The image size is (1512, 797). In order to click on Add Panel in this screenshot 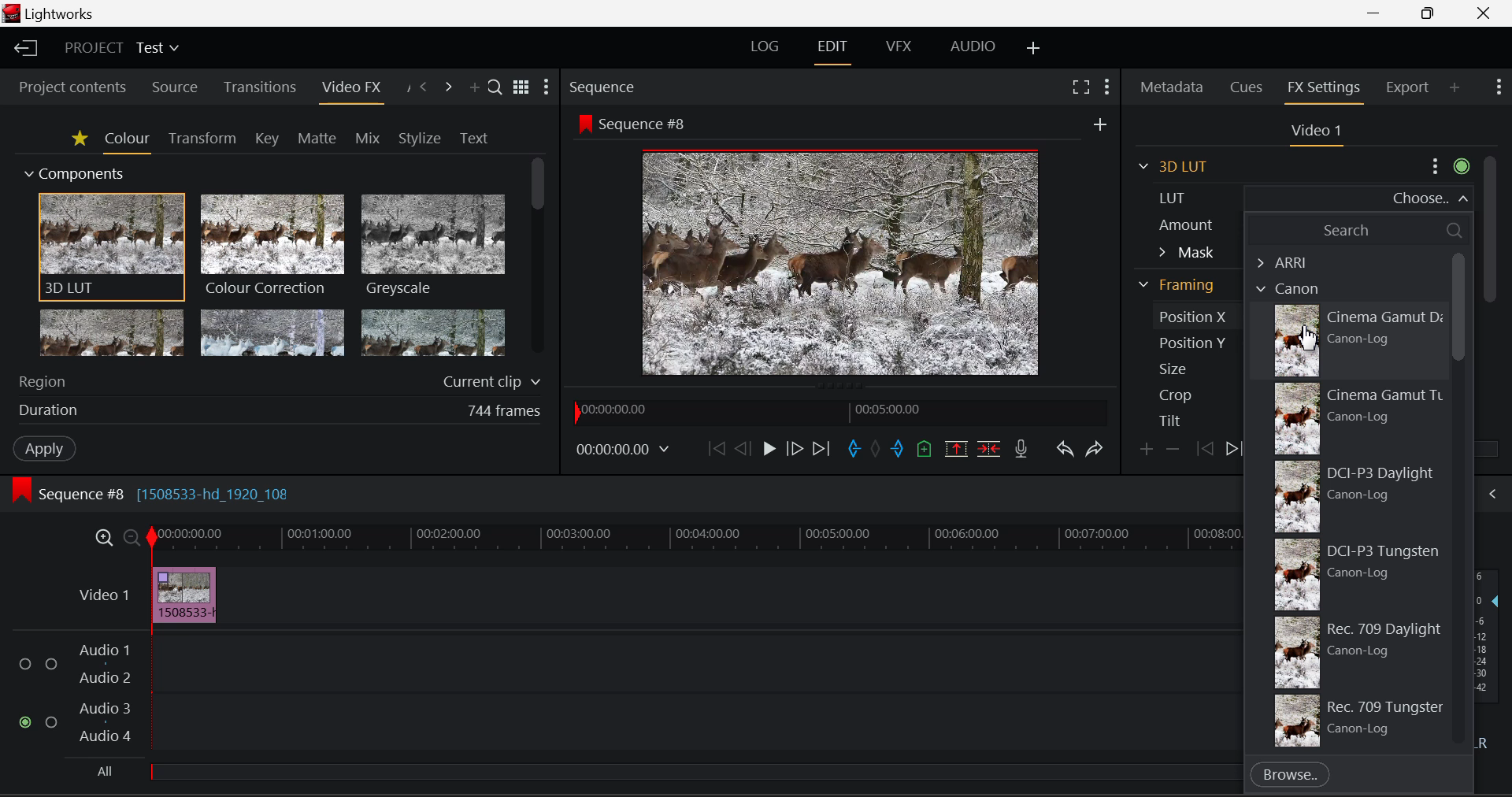, I will do `click(1455, 89)`.